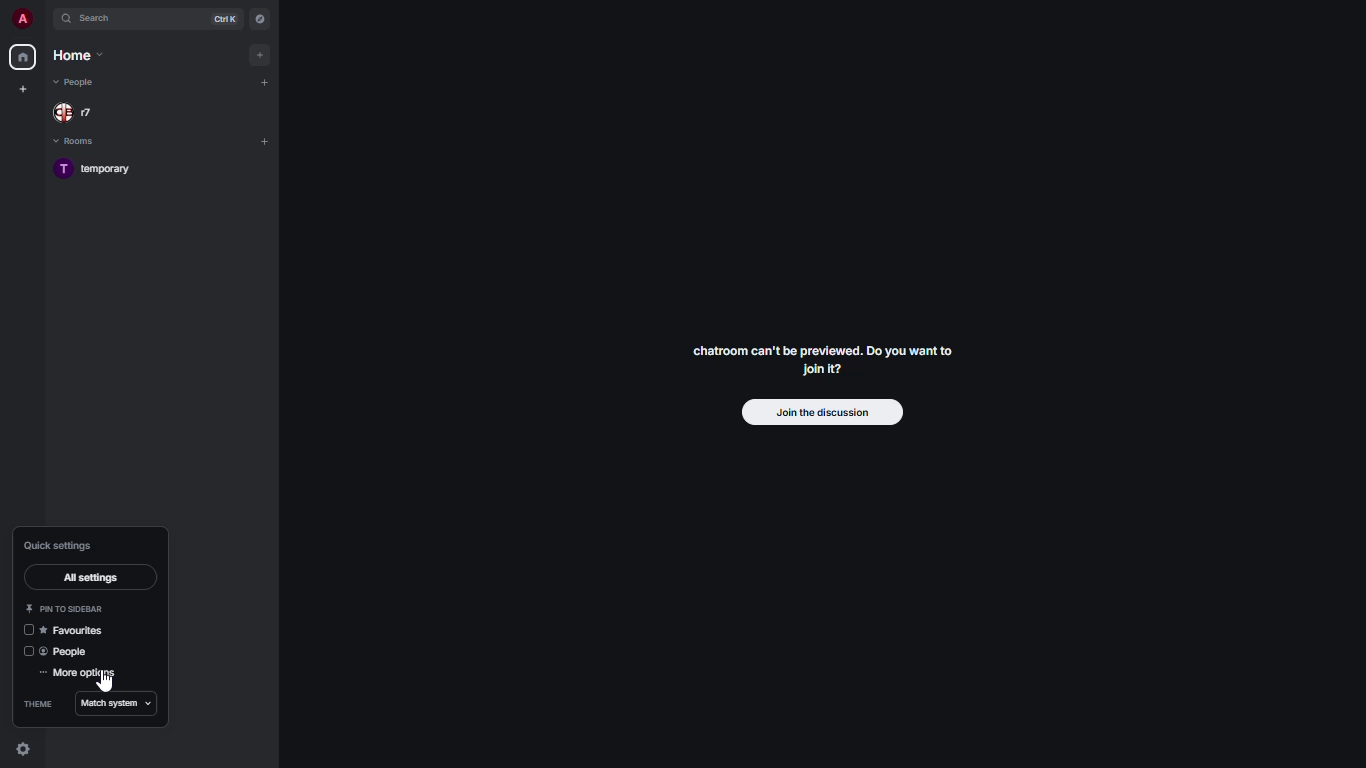  What do you see at coordinates (80, 140) in the screenshot?
I see `rooms` at bounding box center [80, 140].